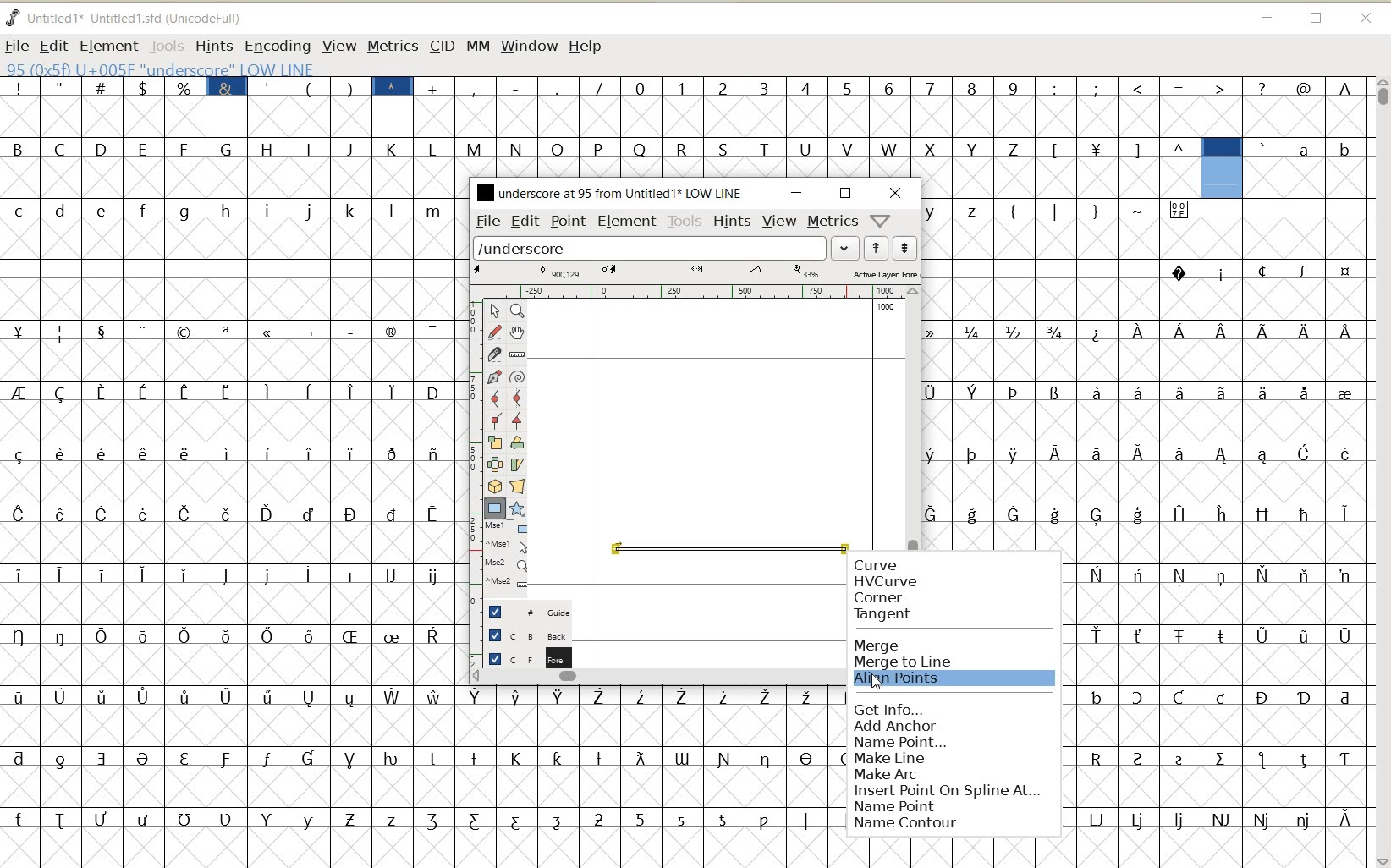  What do you see at coordinates (165, 45) in the screenshot?
I see `TOOLS` at bounding box center [165, 45].